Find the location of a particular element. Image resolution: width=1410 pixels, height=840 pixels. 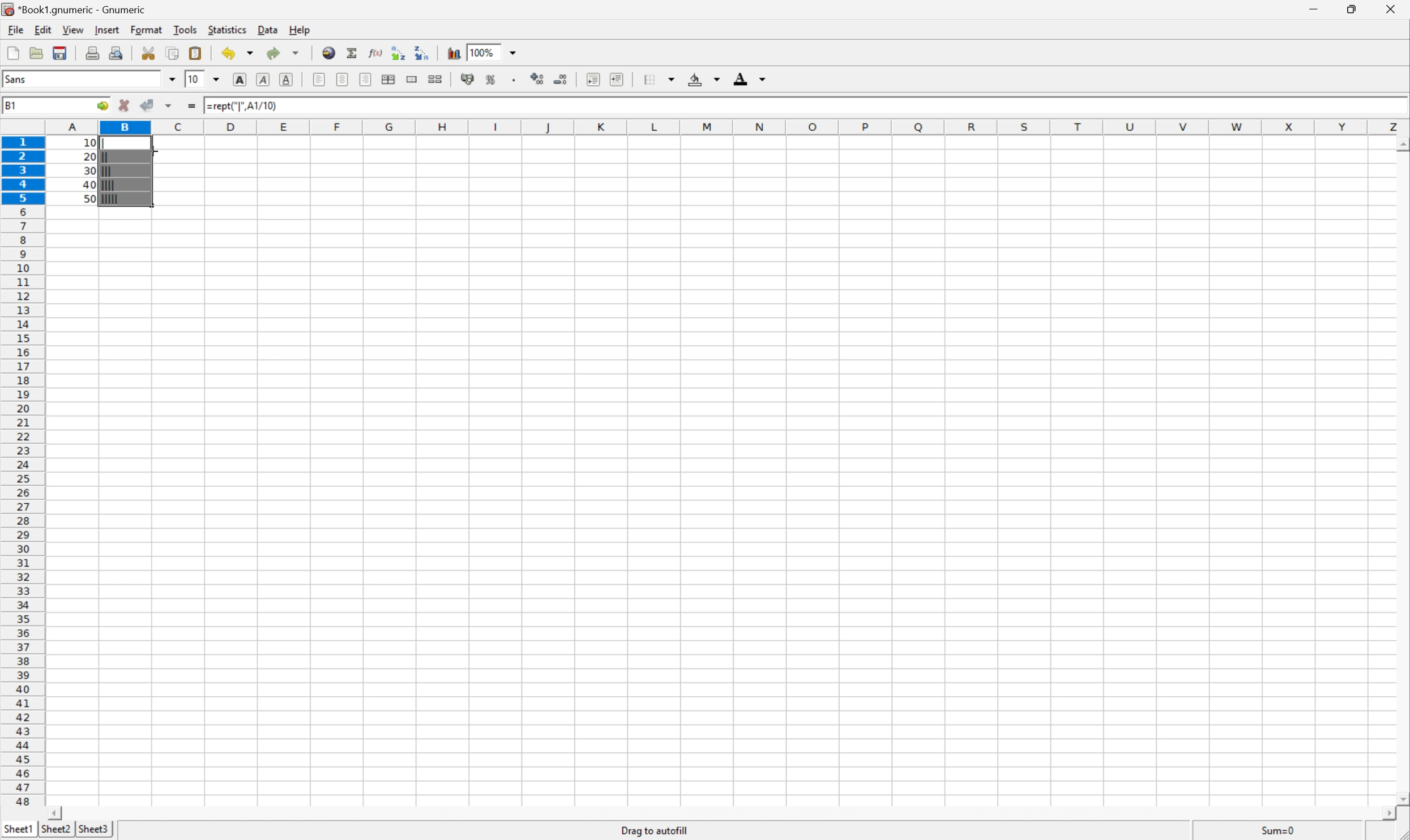

Redo is located at coordinates (282, 53).